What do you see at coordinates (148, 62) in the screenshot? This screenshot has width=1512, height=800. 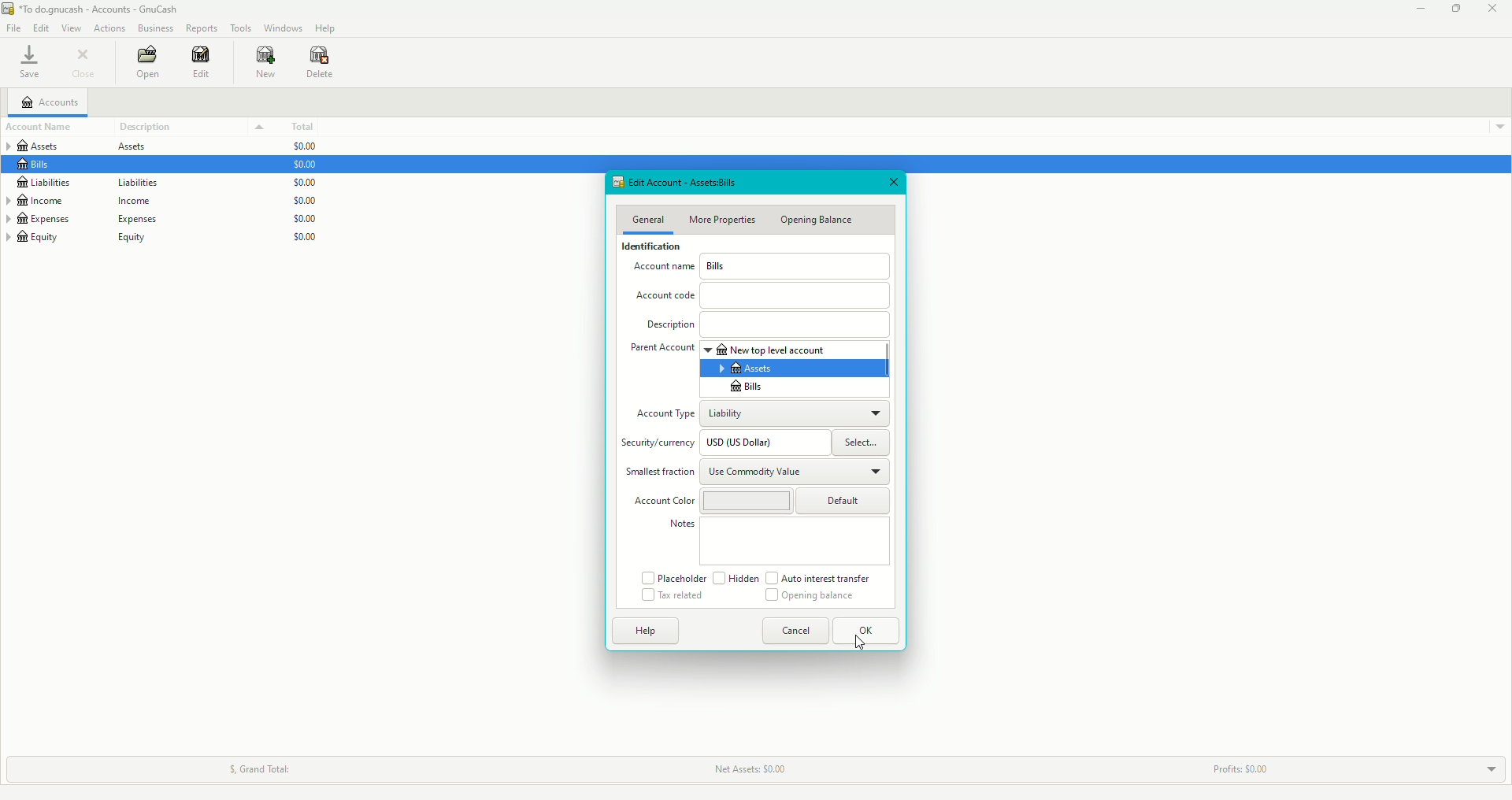 I see `Open` at bounding box center [148, 62].